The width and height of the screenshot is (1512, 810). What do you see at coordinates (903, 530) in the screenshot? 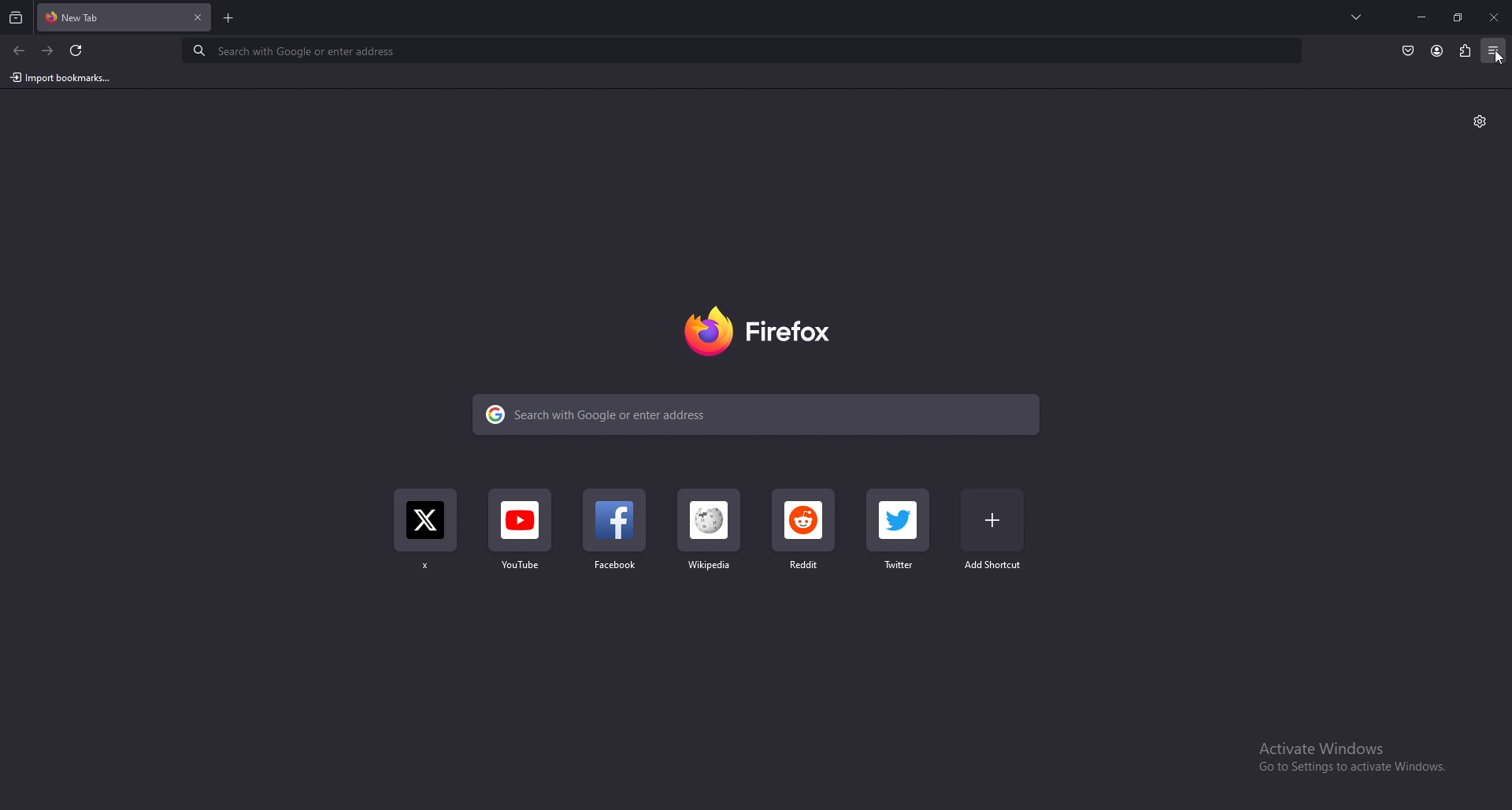
I see `twitter` at bounding box center [903, 530].